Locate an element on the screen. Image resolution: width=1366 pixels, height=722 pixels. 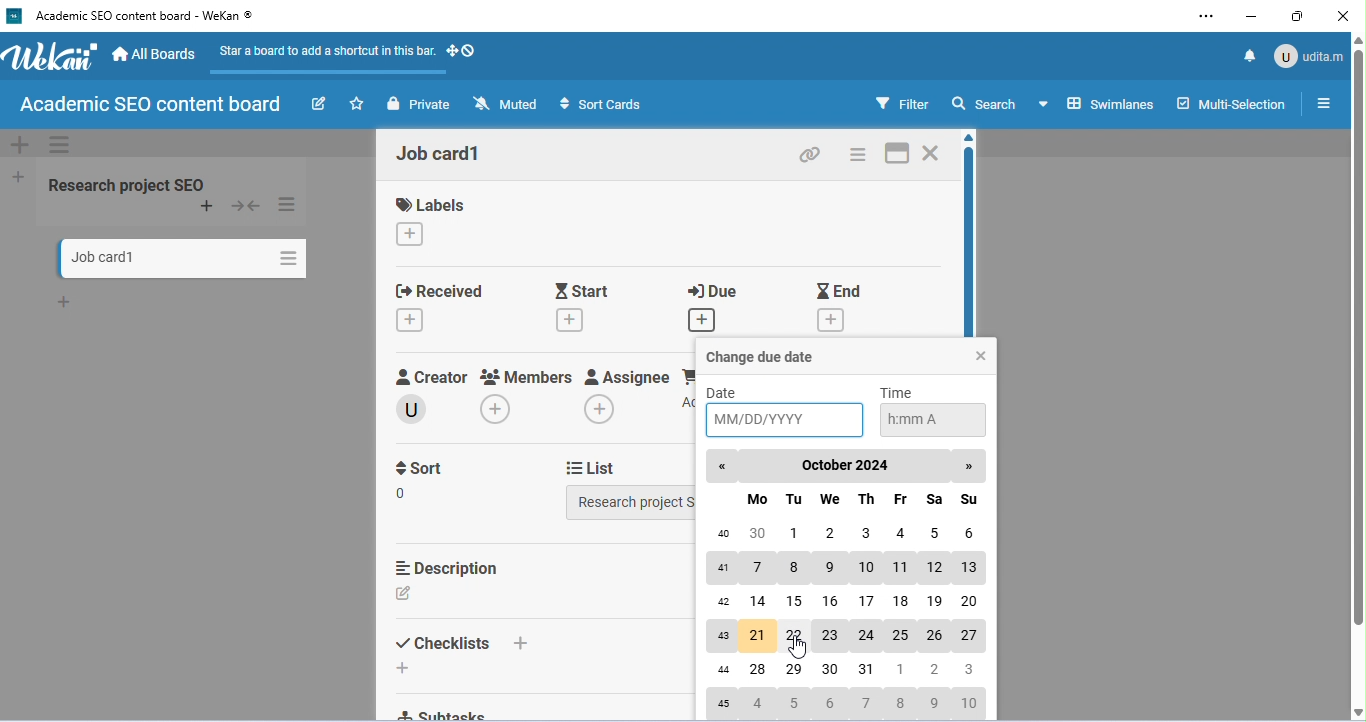
current window: ‘Academic SEO content board - WeKan is located at coordinates (143, 16).